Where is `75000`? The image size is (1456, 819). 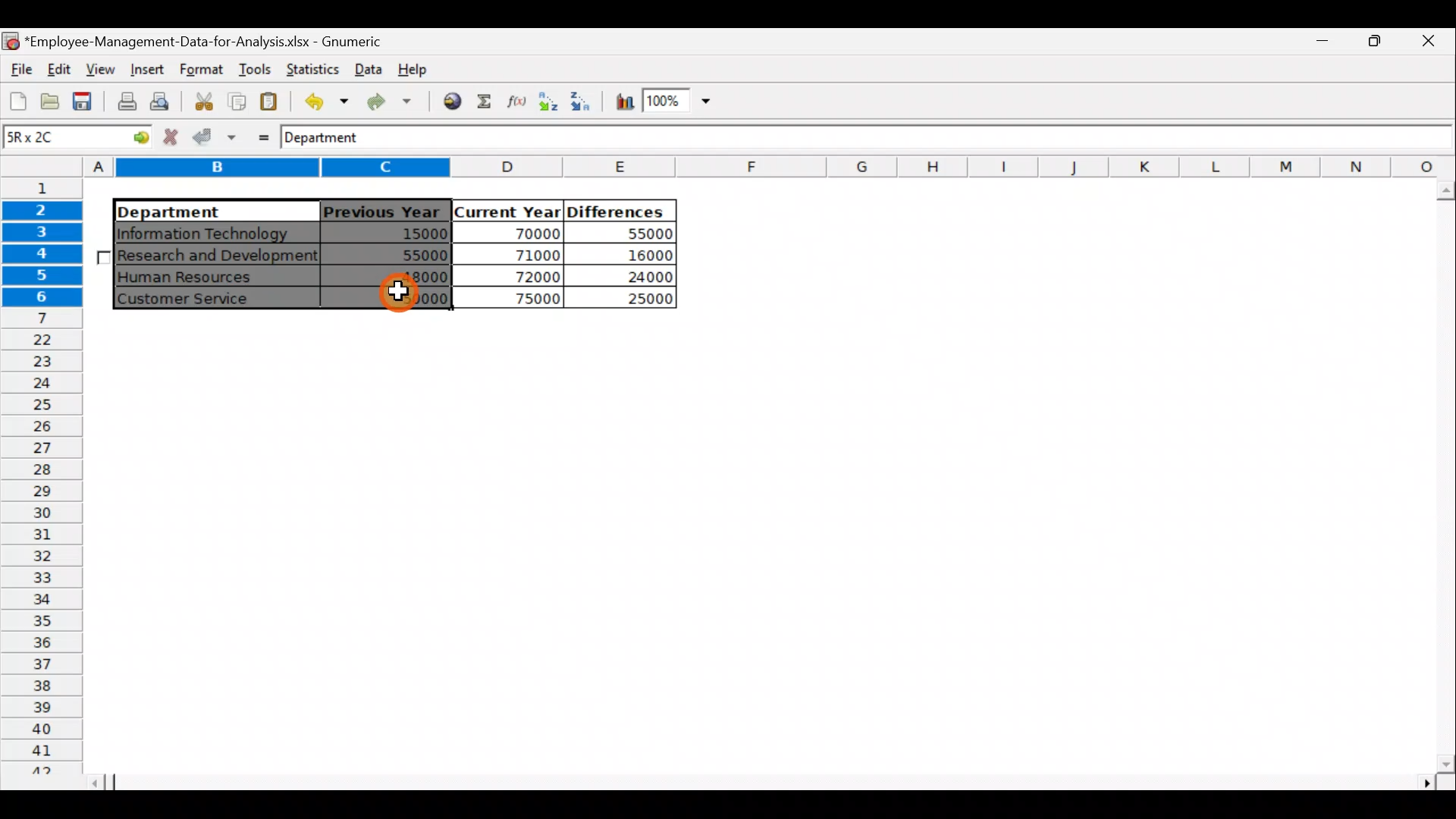
75000 is located at coordinates (517, 300).